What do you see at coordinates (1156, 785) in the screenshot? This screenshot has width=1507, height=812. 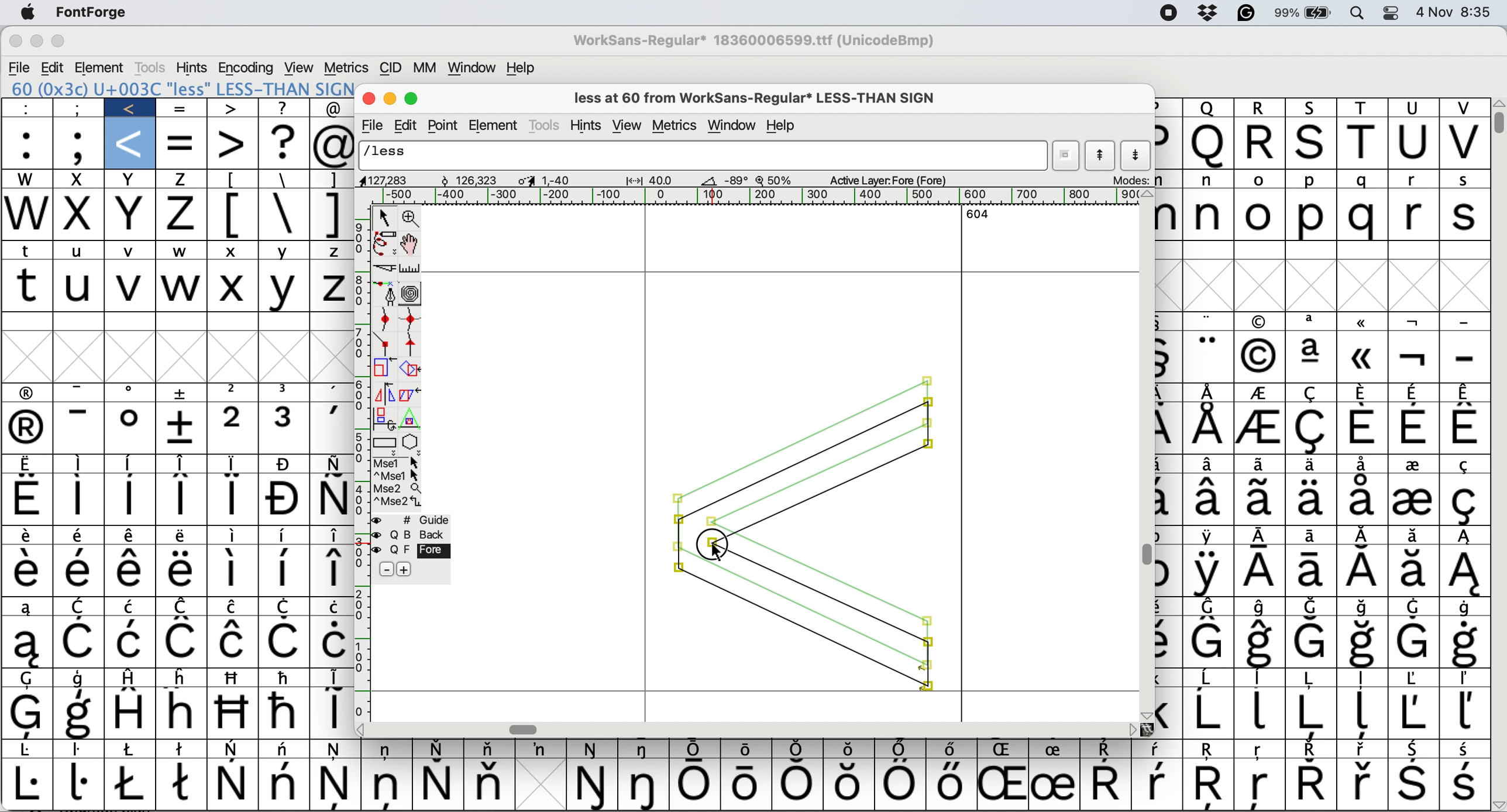 I see `Symbol` at bounding box center [1156, 785].